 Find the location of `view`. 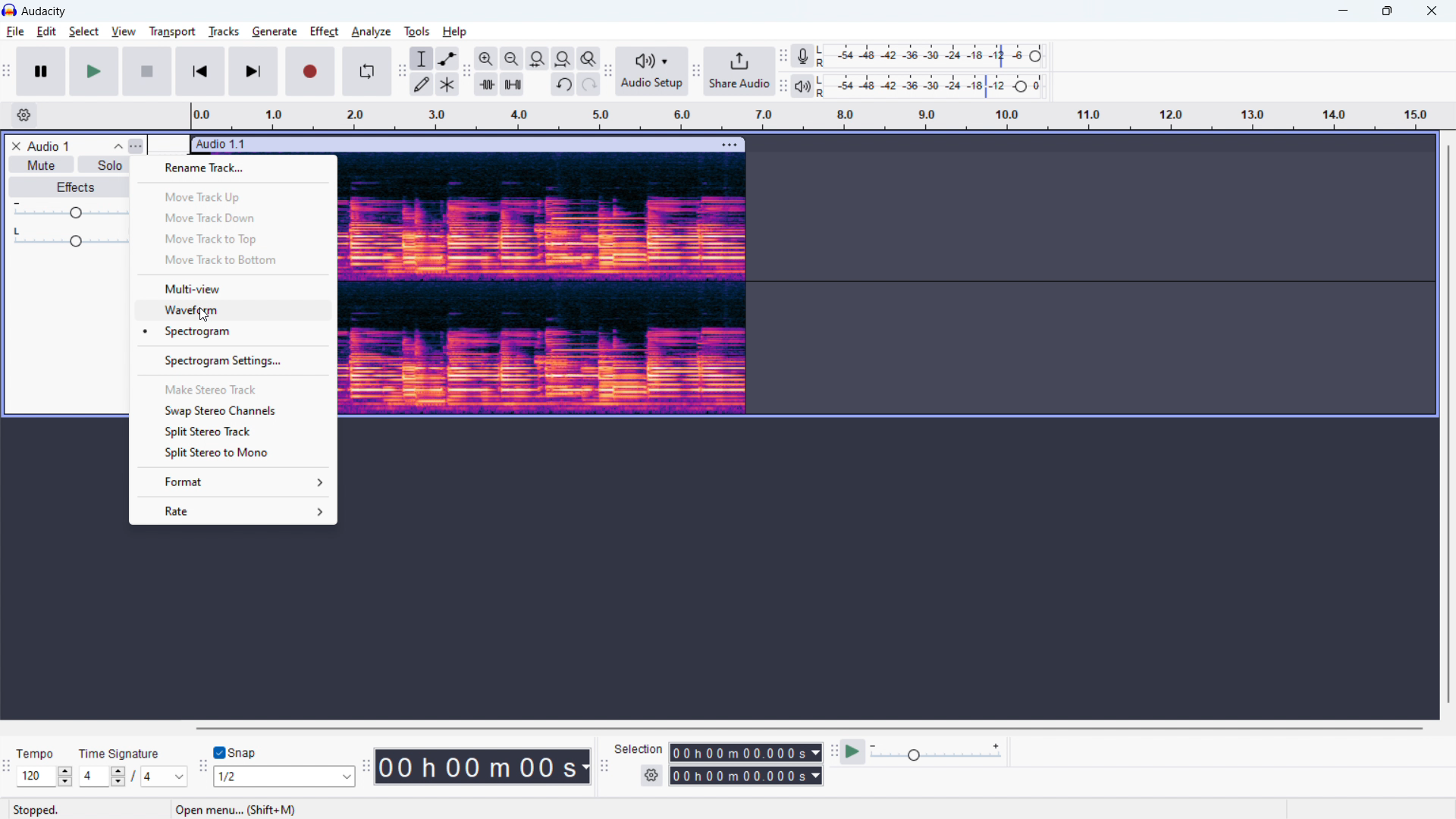

view is located at coordinates (123, 31).